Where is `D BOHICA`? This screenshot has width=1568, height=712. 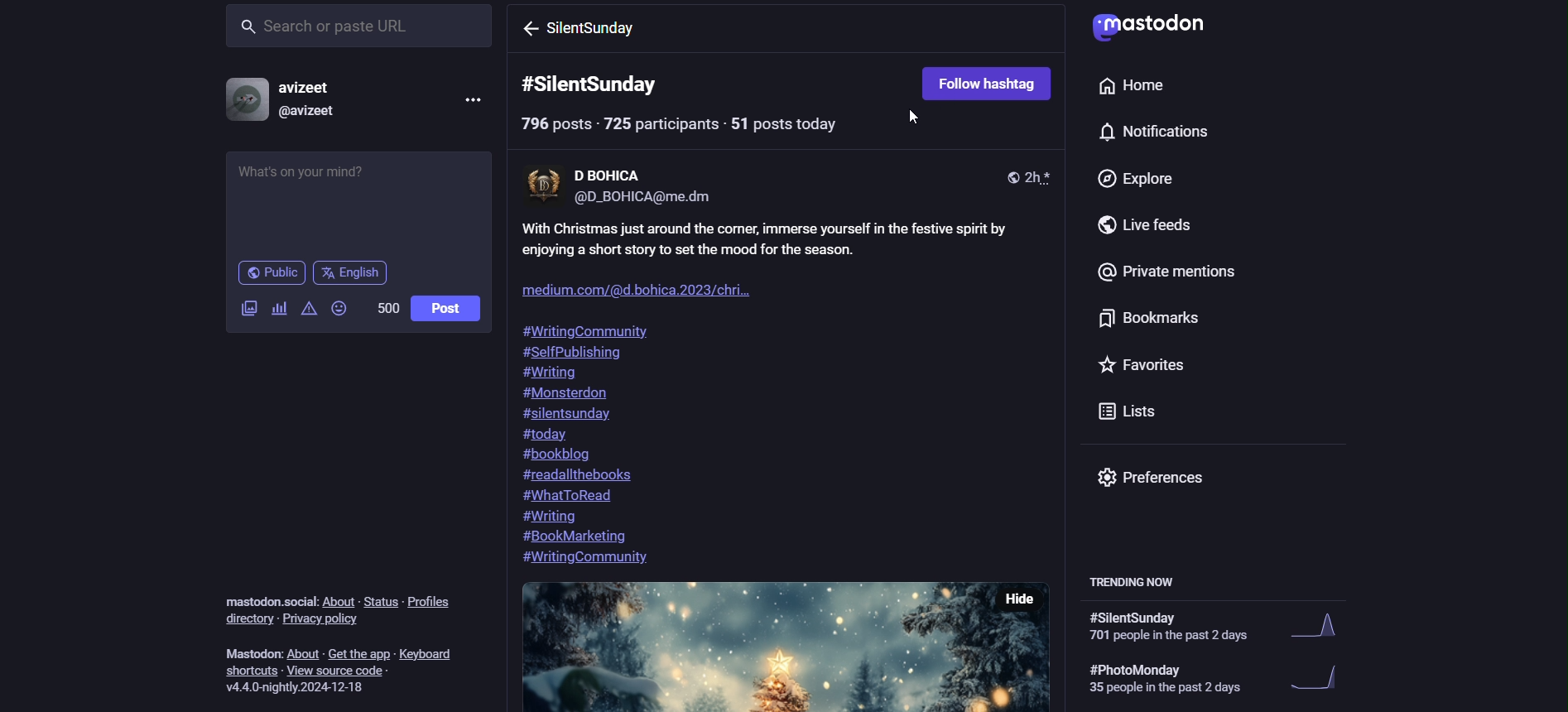
D BOHICA is located at coordinates (609, 171).